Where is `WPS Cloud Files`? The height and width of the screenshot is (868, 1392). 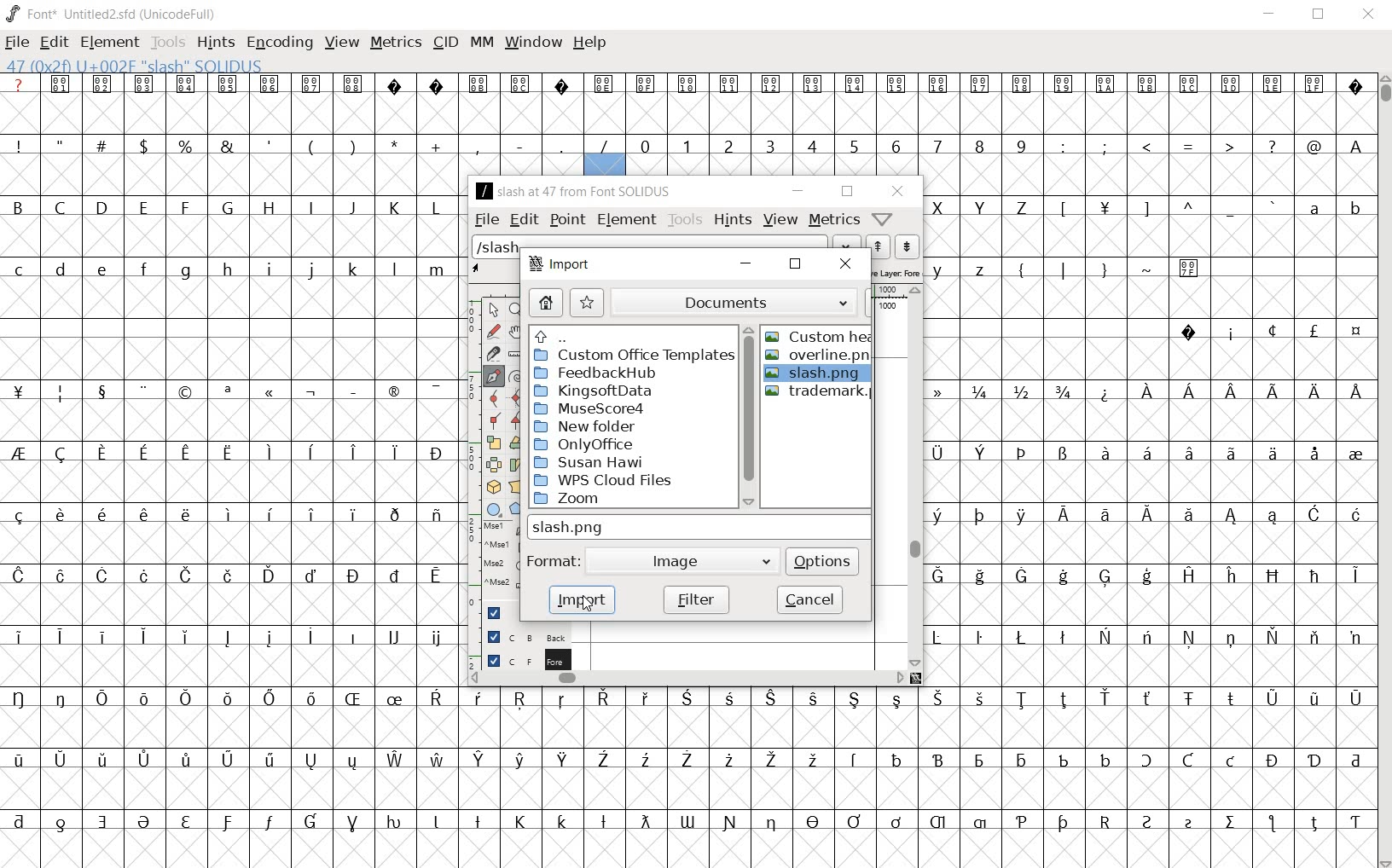 WPS Cloud Files is located at coordinates (602, 481).